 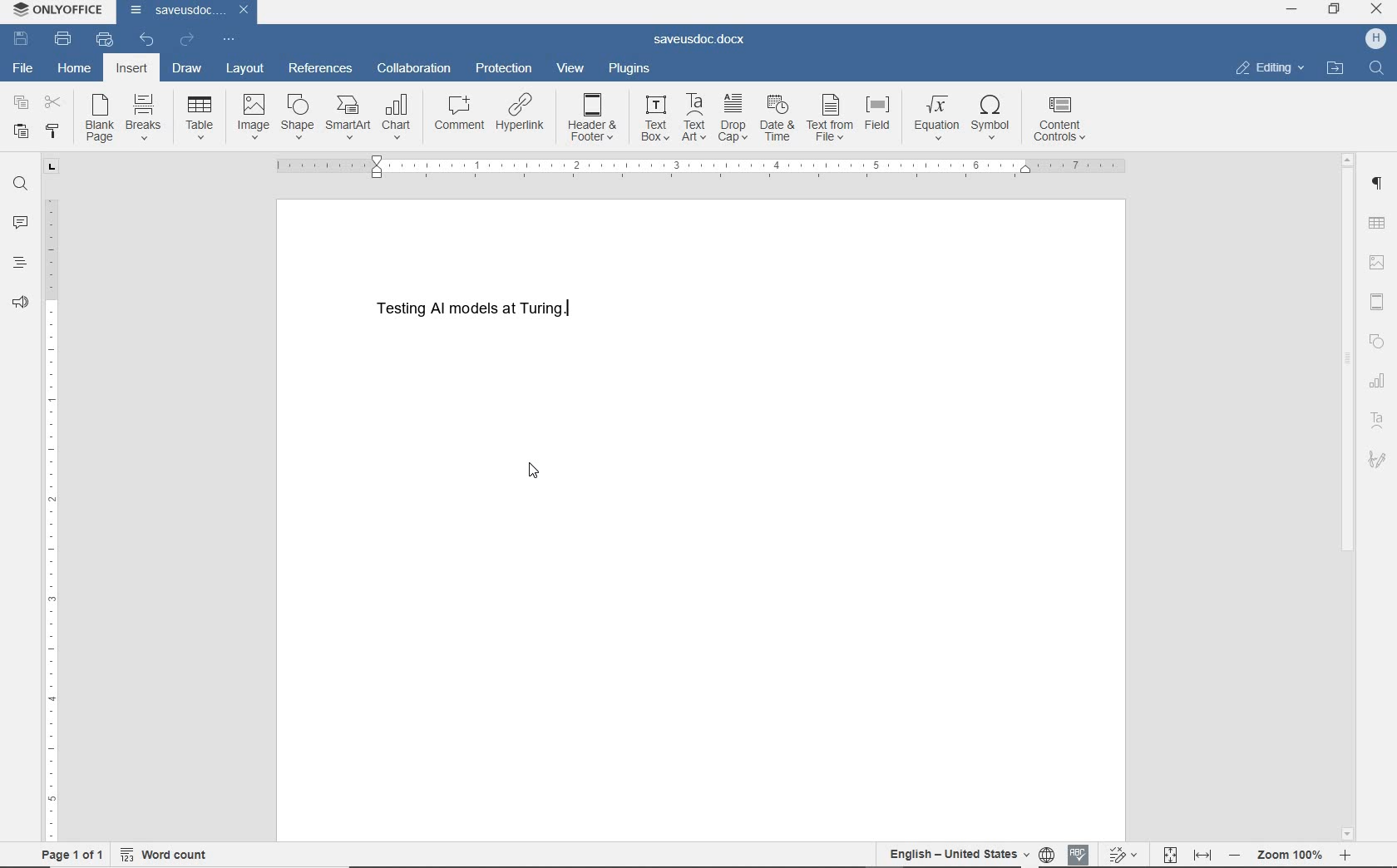 What do you see at coordinates (1128, 855) in the screenshot?
I see `Track changes` at bounding box center [1128, 855].